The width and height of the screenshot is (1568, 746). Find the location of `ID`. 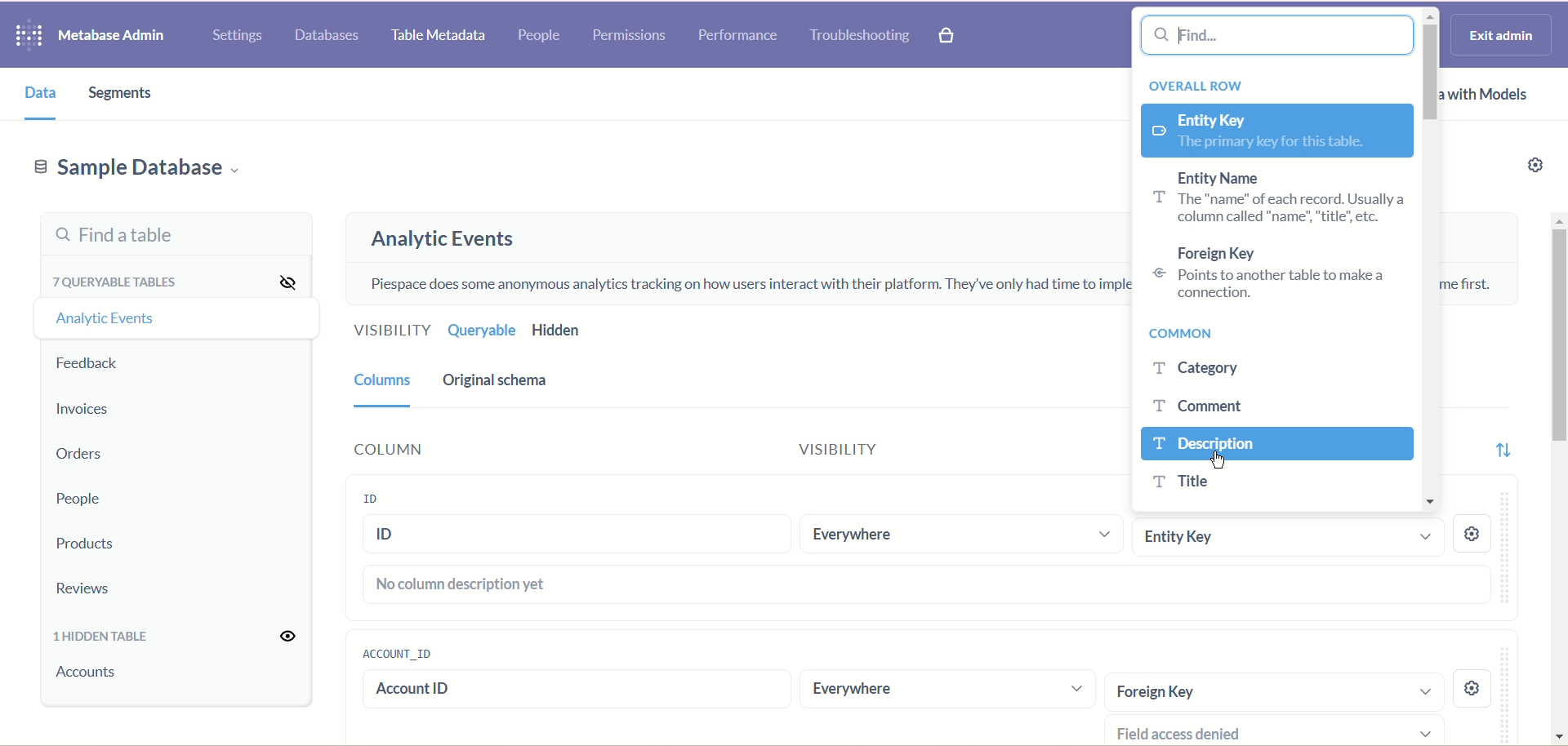

ID is located at coordinates (367, 501).